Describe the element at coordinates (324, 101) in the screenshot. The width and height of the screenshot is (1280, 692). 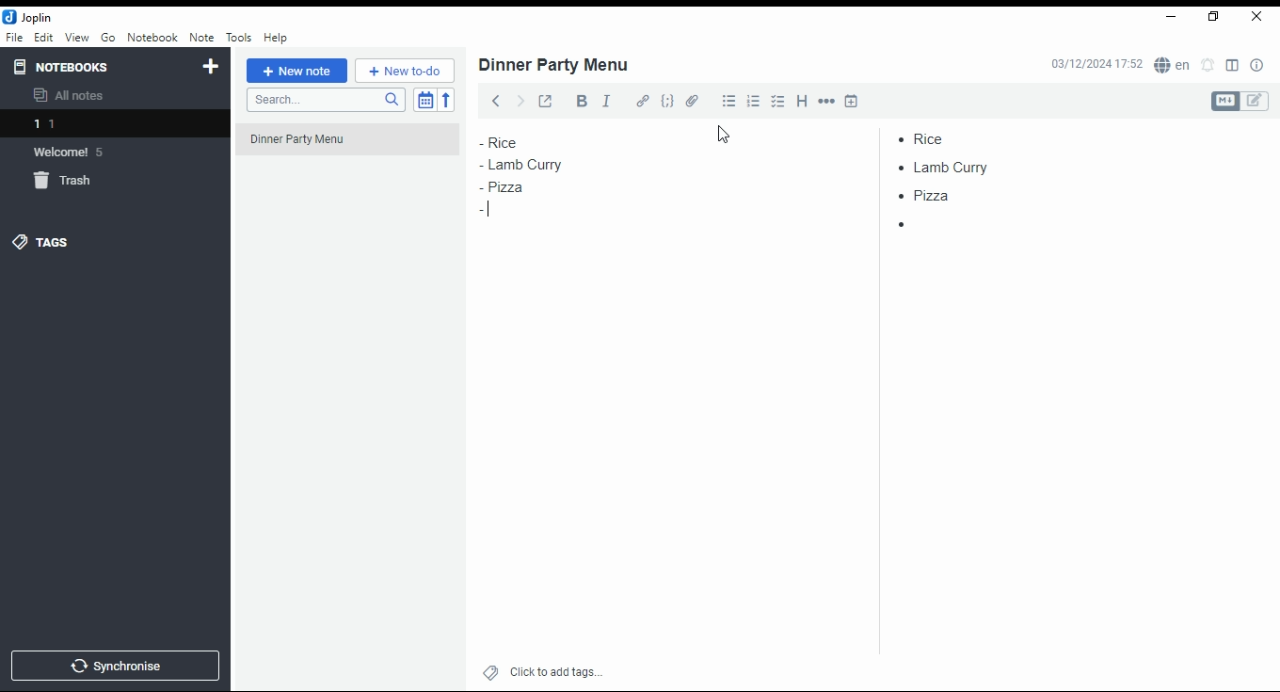
I see `search ` at that location.